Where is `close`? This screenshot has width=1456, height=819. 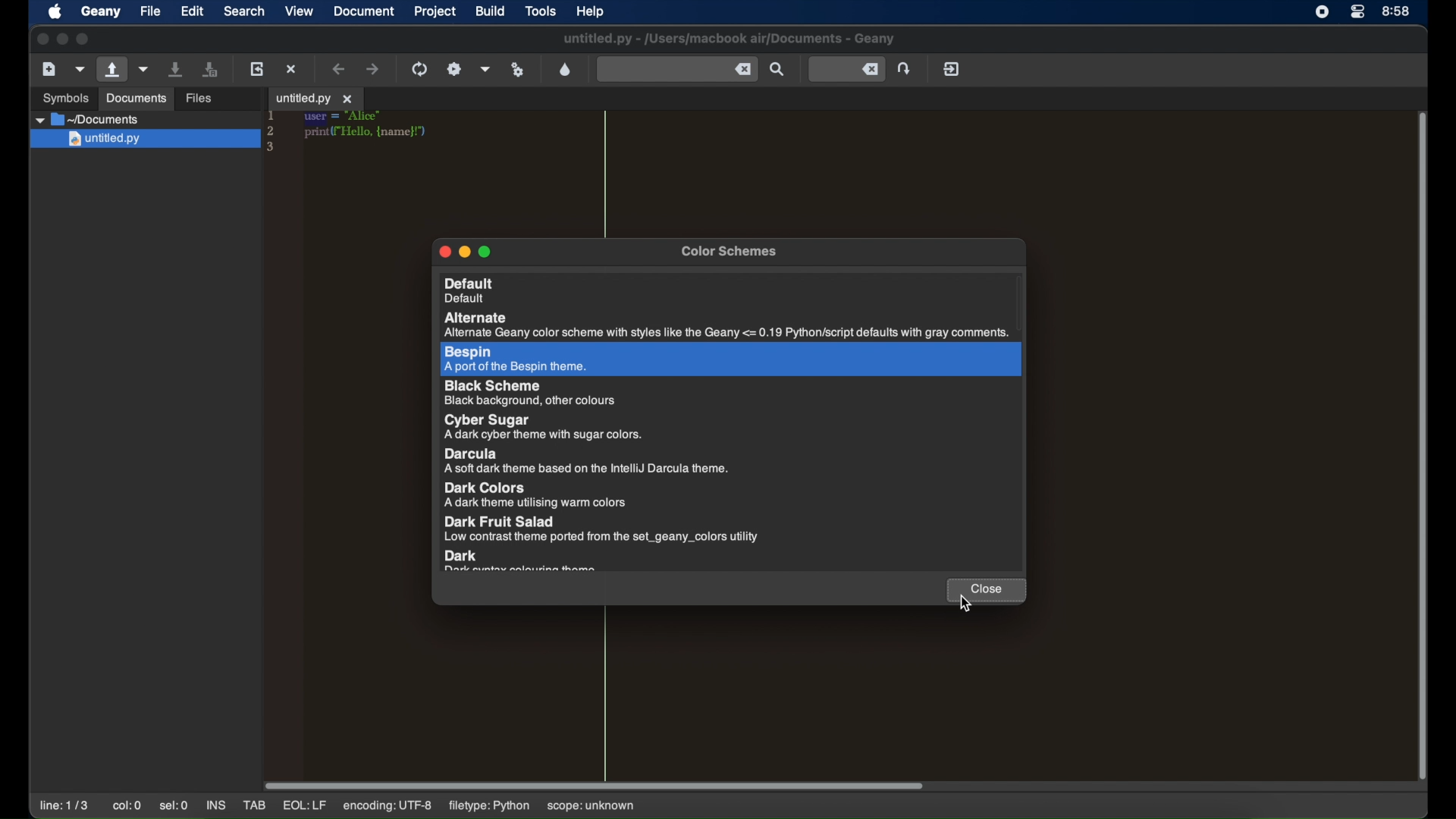
close is located at coordinates (984, 590).